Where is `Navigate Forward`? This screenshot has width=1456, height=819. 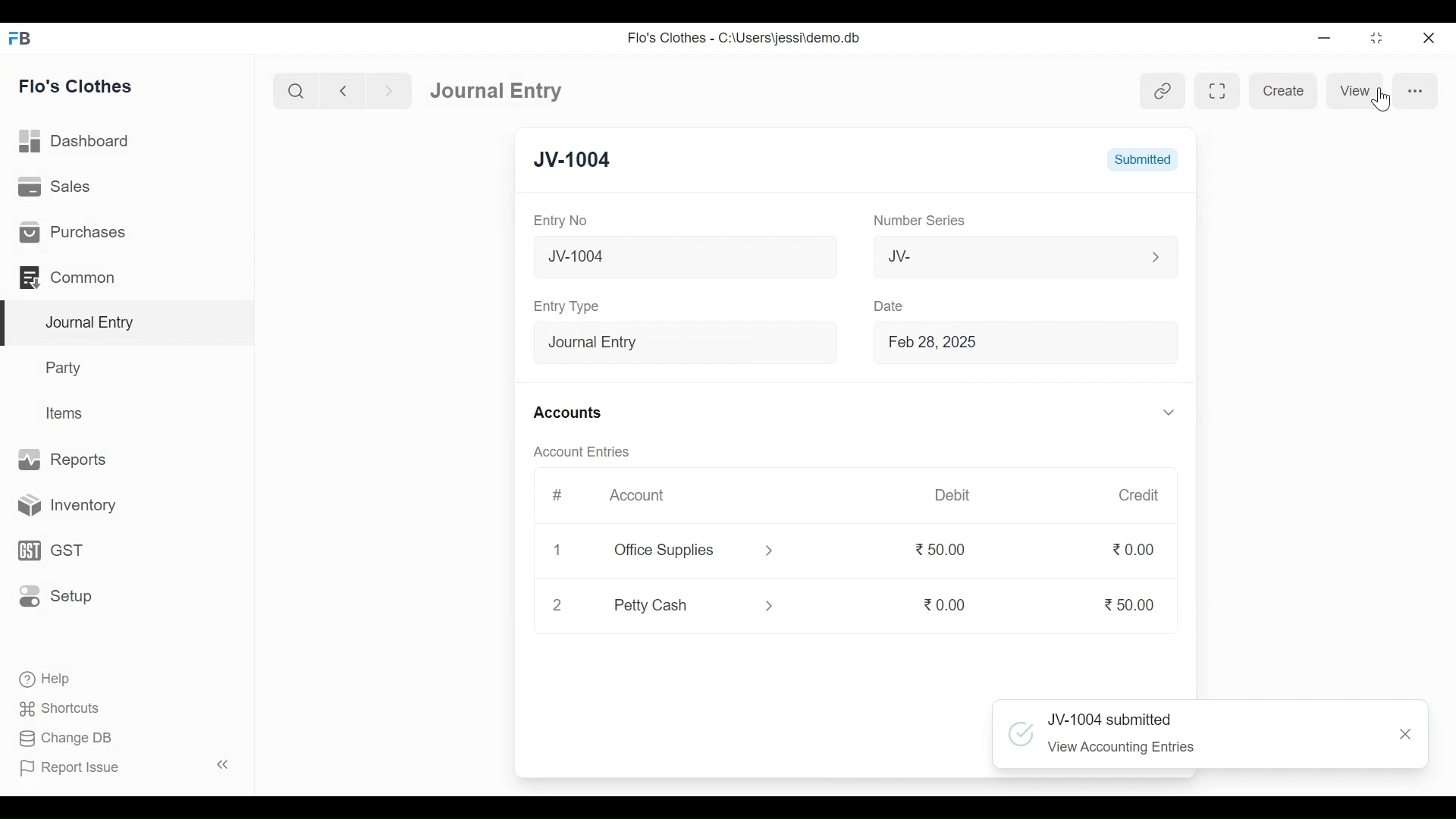 Navigate Forward is located at coordinates (389, 91).